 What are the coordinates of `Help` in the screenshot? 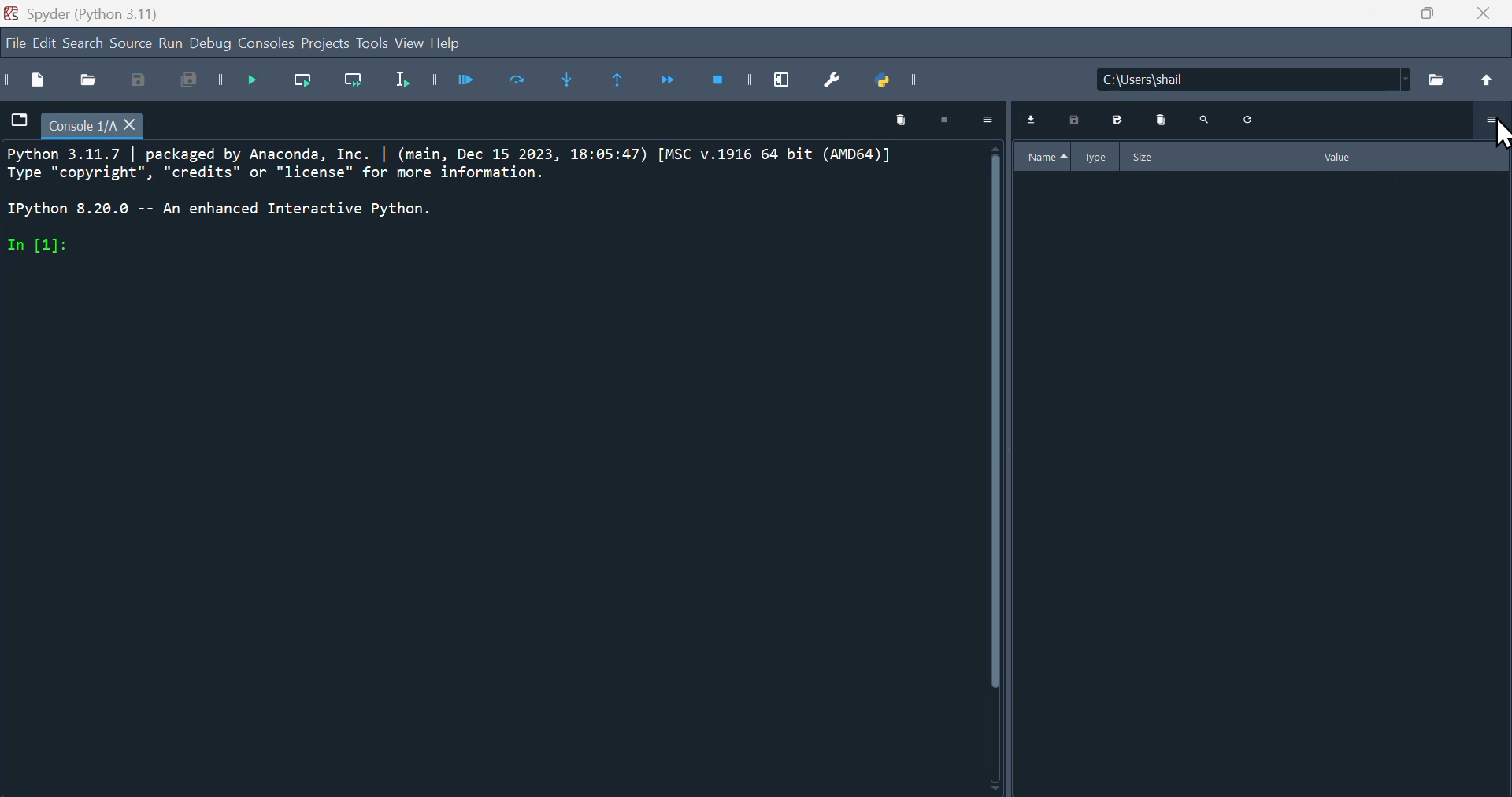 It's located at (456, 45).